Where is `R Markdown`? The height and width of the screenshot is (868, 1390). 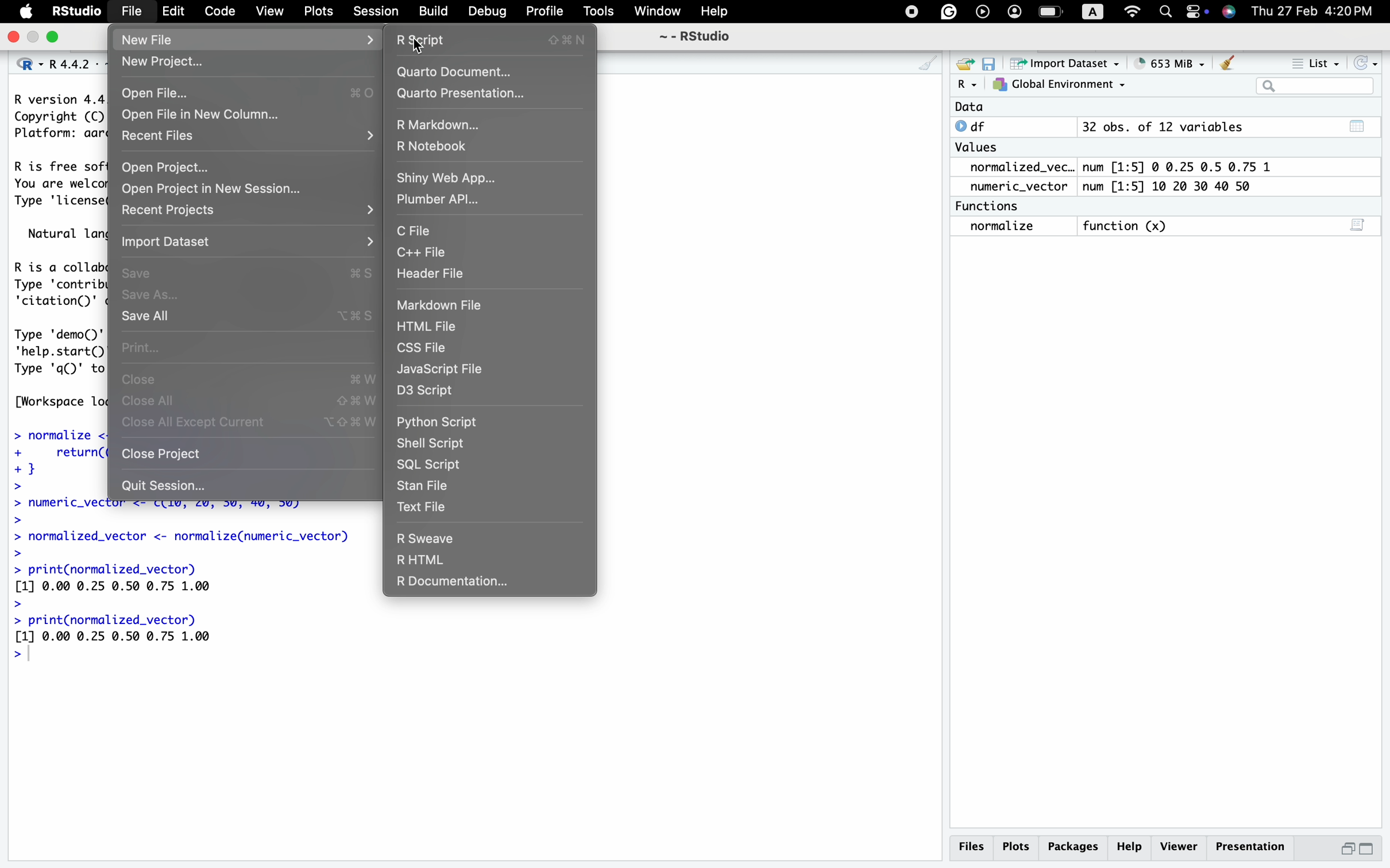
R Markdown is located at coordinates (445, 124).